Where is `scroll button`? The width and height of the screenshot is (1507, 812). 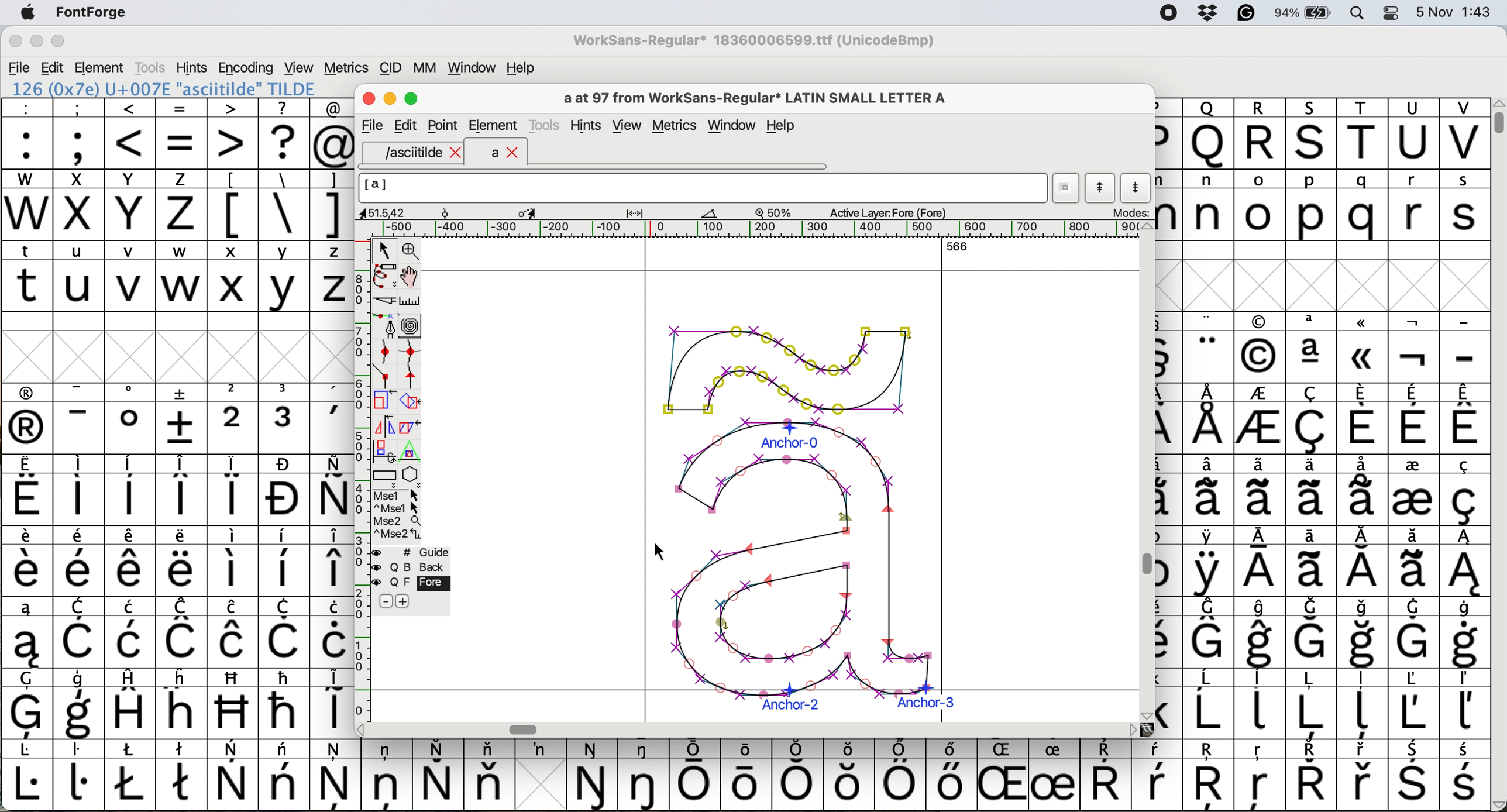 scroll button is located at coordinates (1147, 227).